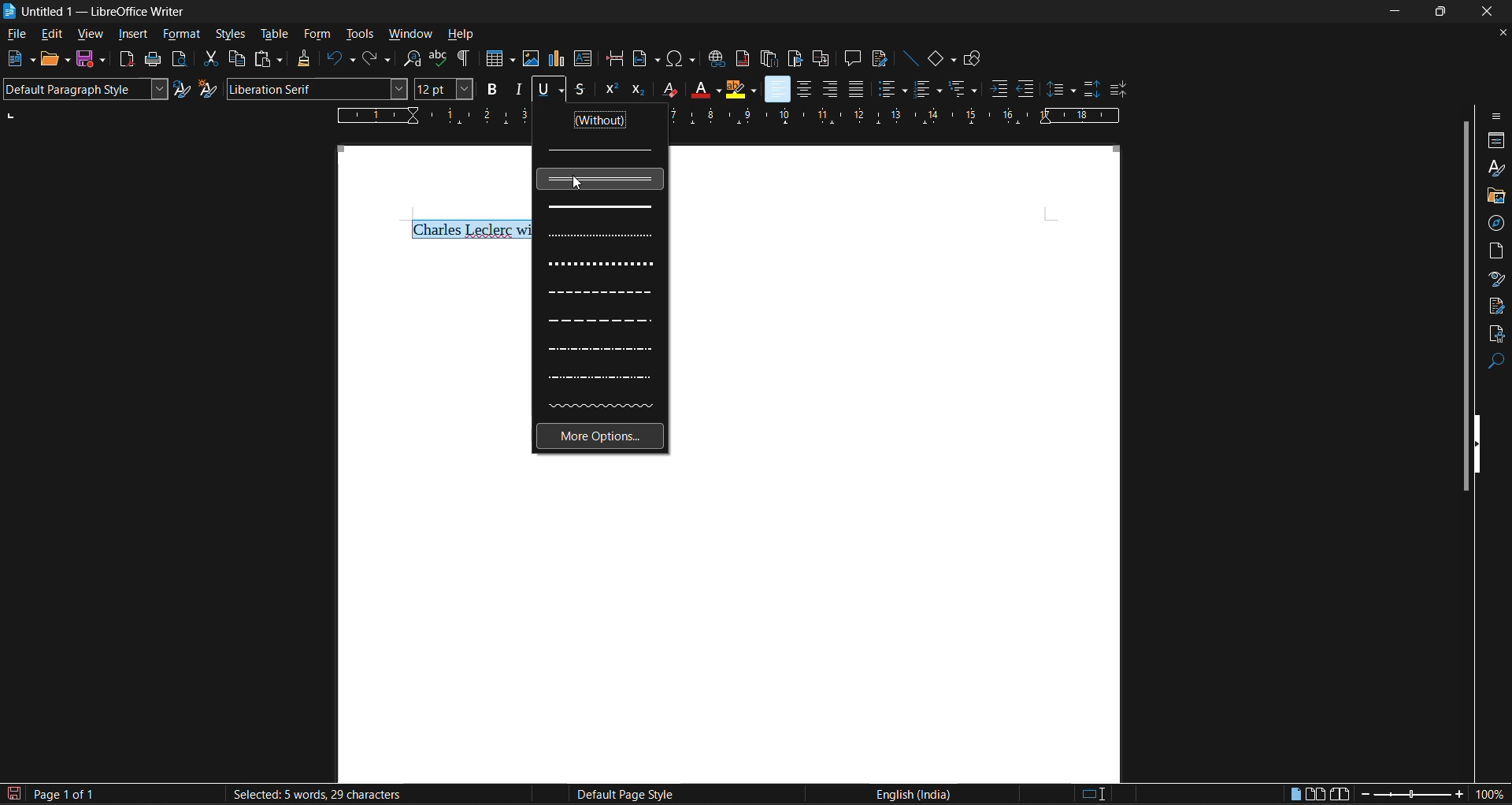  I want to click on zoom in, so click(1460, 795).